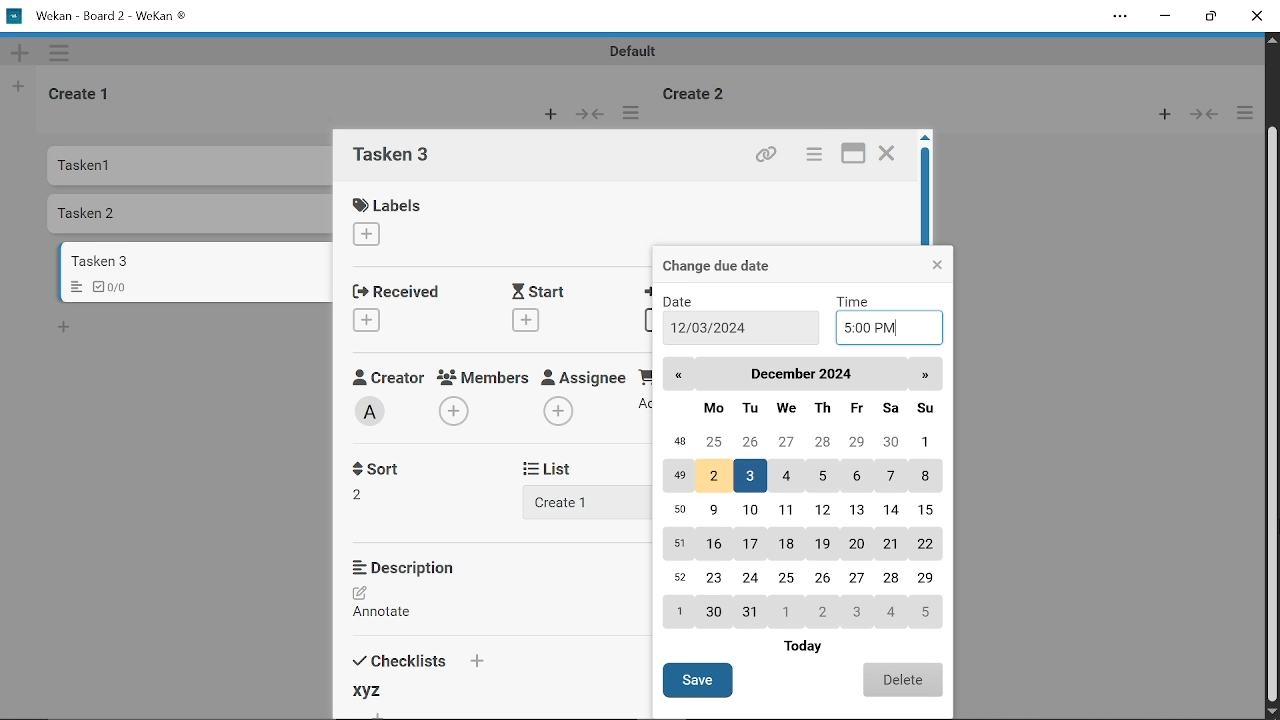  What do you see at coordinates (1244, 113) in the screenshot?
I see `More` at bounding box center [1244, 113].